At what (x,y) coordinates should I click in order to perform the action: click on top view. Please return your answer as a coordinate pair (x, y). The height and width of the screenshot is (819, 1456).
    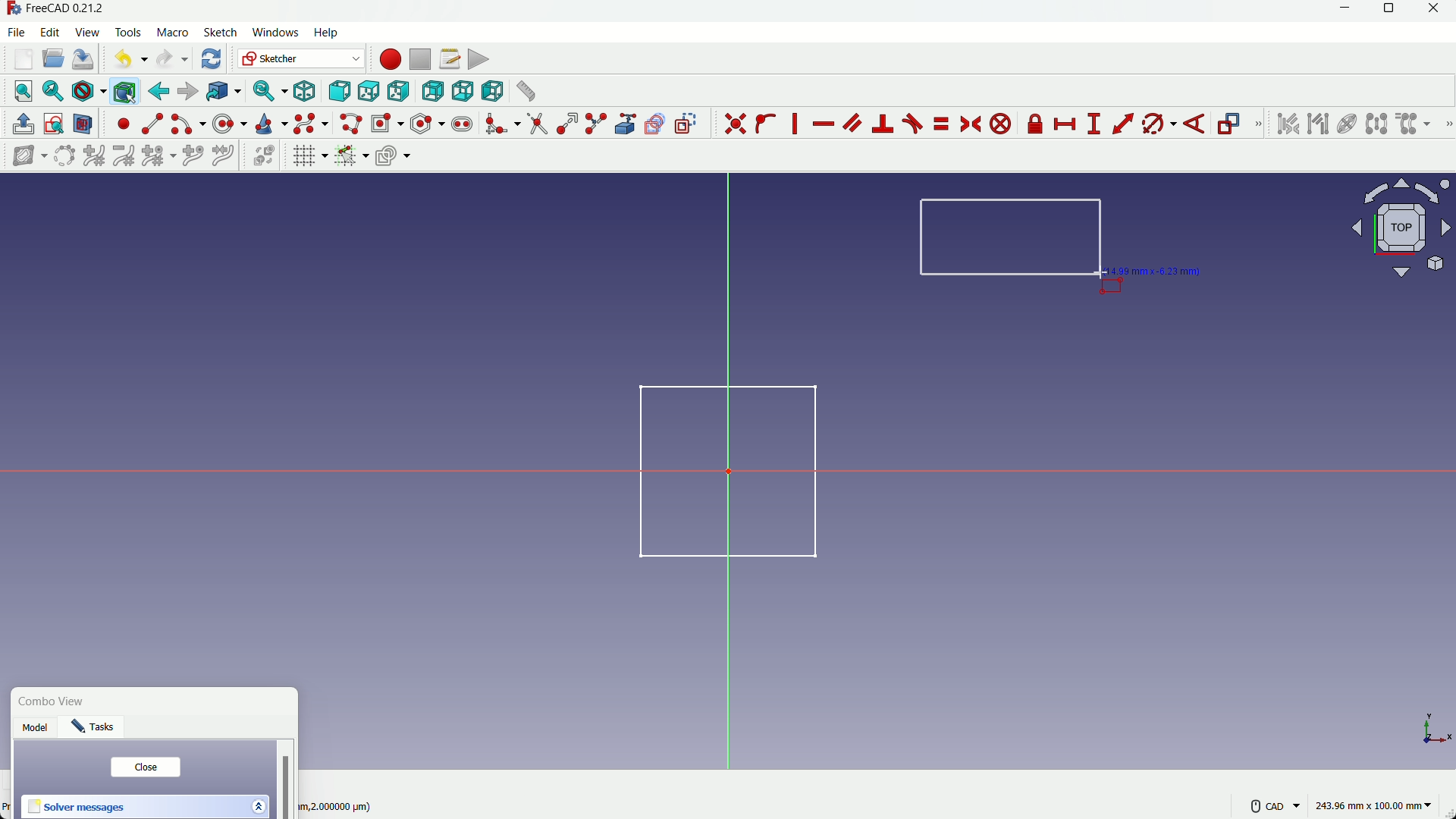
    Looking at the image, I should click on (368, 93).